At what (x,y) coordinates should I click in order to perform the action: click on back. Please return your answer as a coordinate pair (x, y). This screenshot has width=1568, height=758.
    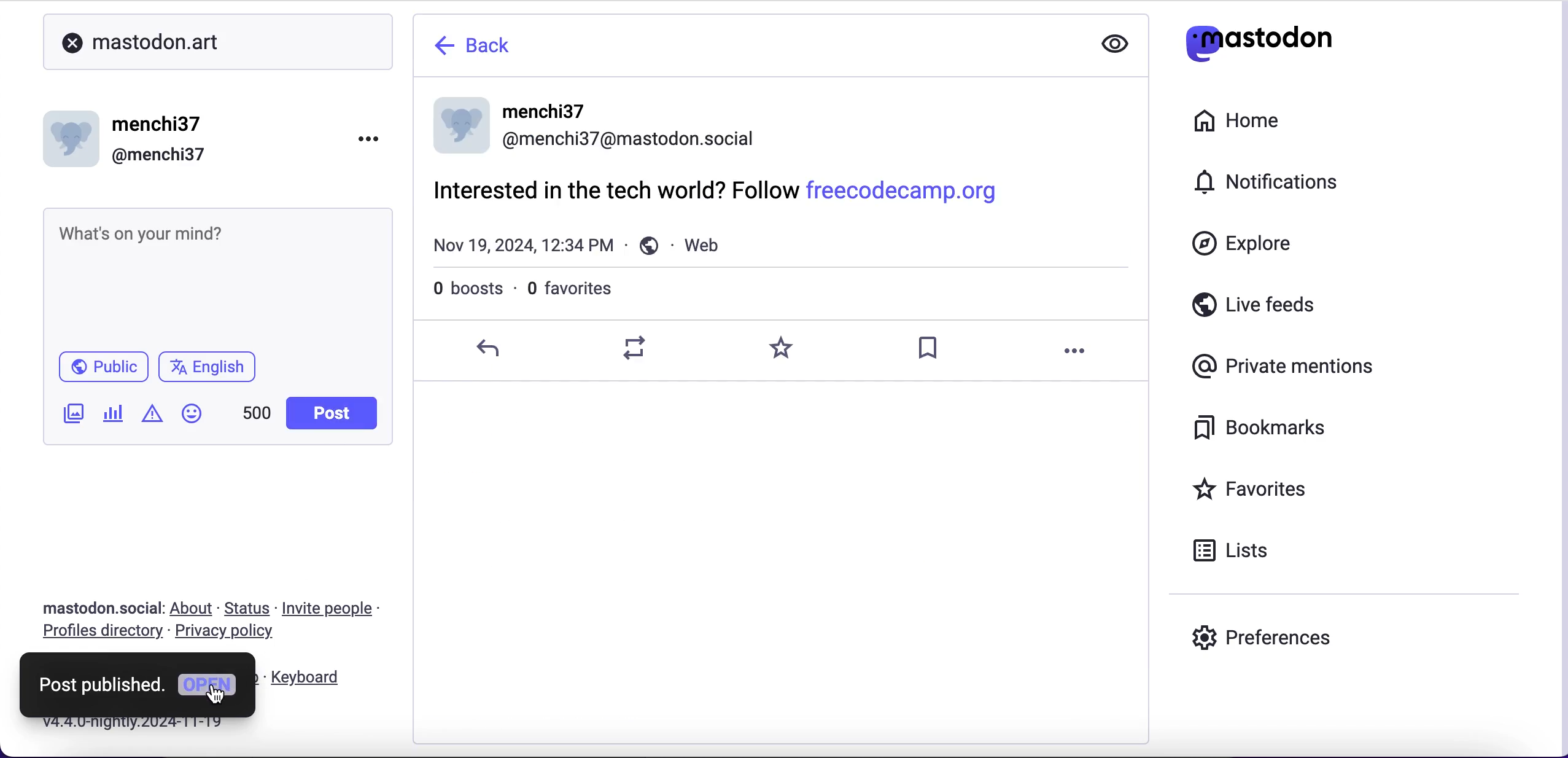
    Looking at the image, I should click on (483, 47).